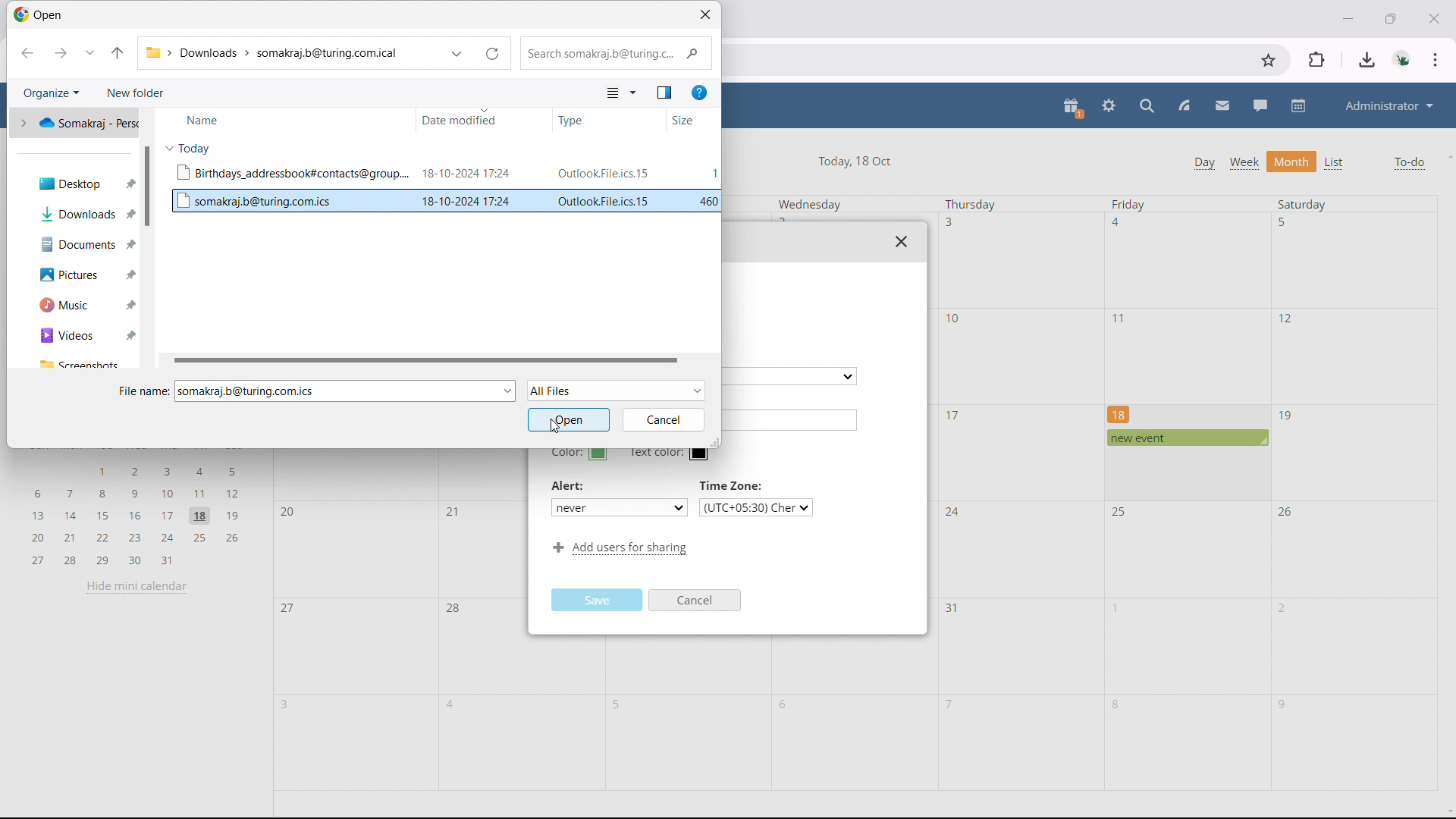 The height and width of the screenshot is (819, 1456). I want to click on Birthdays_addressbook#contacts@group...., so click(292, 172).